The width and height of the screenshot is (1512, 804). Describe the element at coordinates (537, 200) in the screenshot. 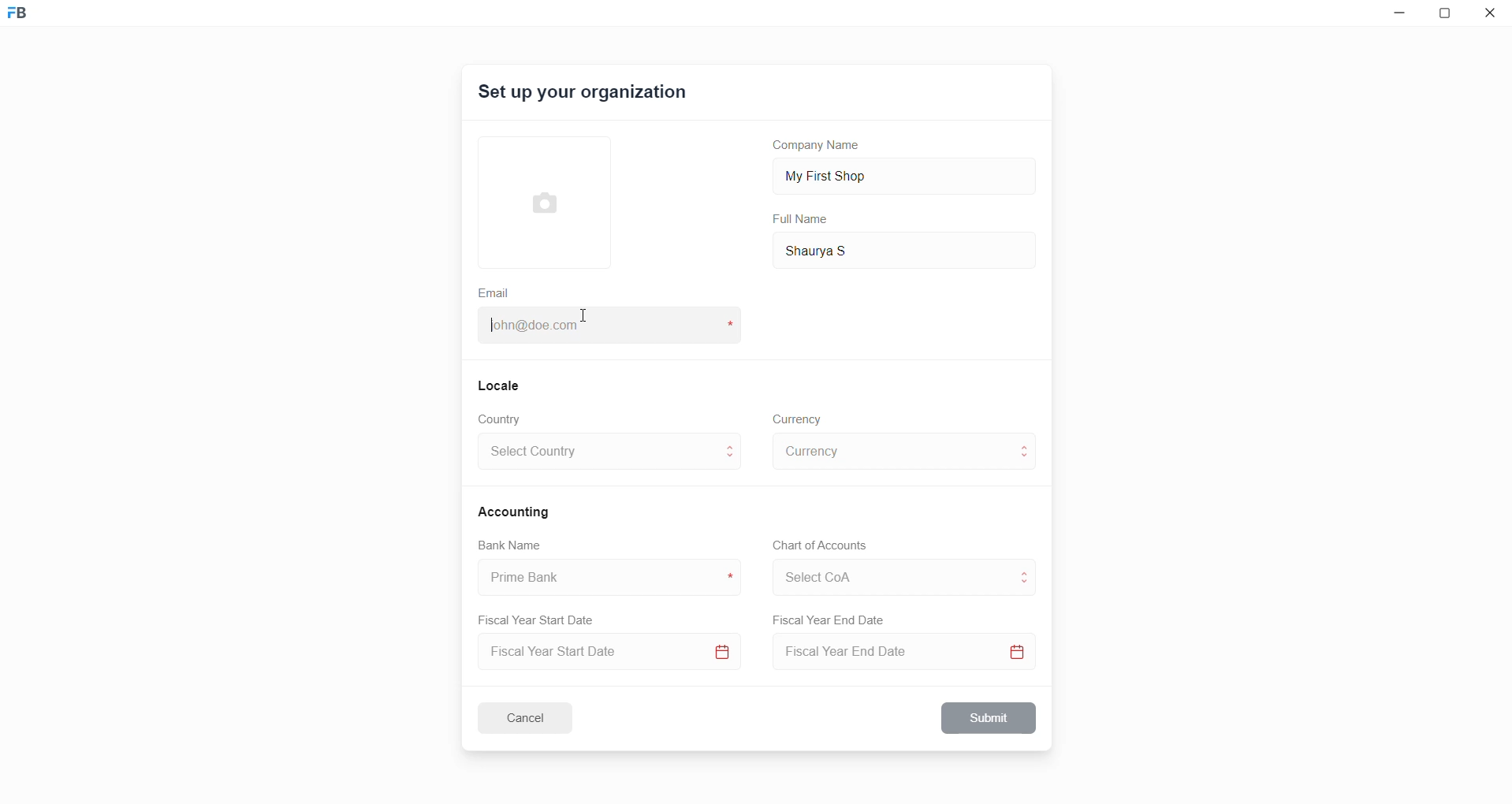

I see `select Profile picture` at that location.